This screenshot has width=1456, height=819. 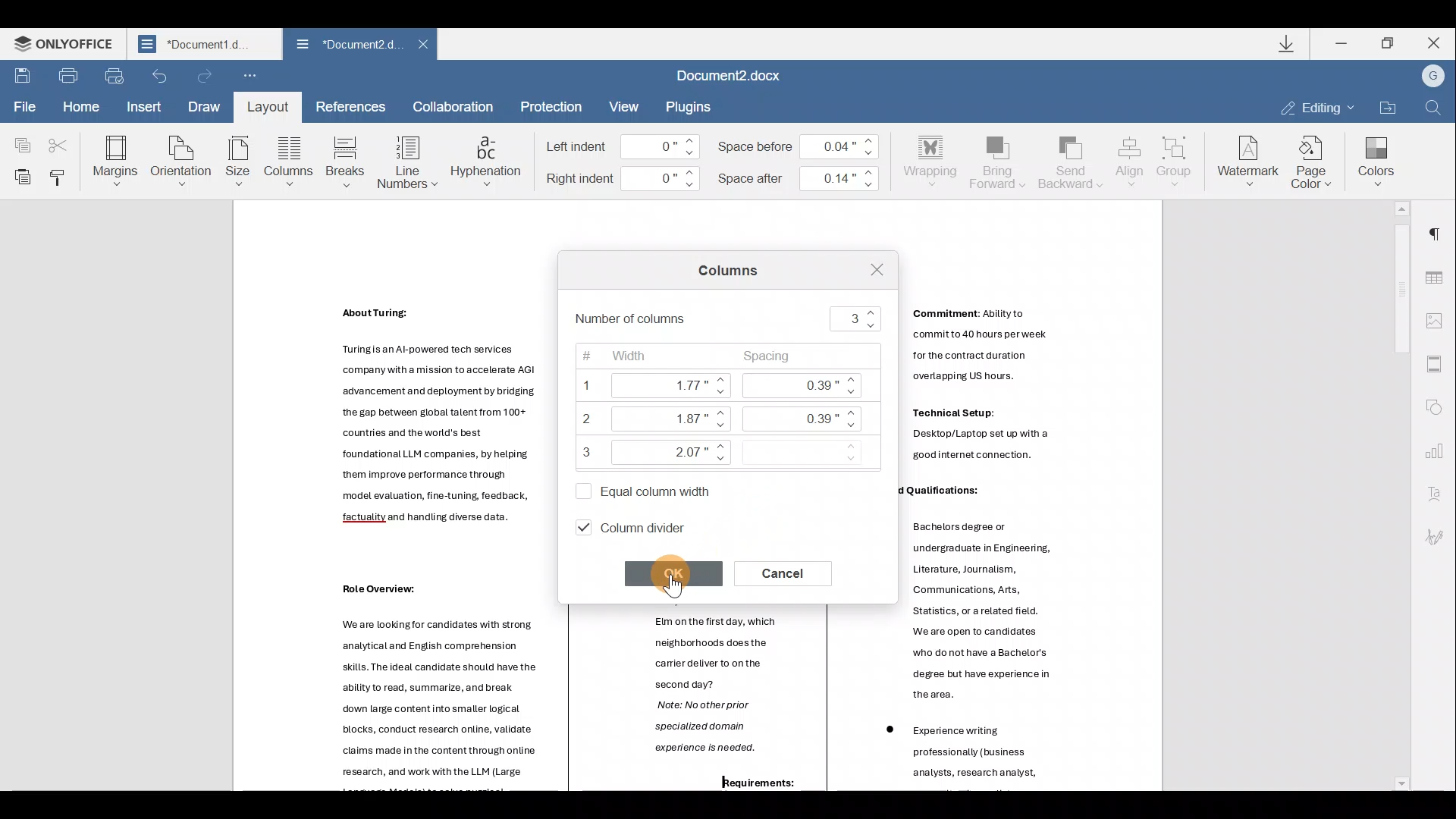 I want to click on Left indent, so click(x=623, y=147).